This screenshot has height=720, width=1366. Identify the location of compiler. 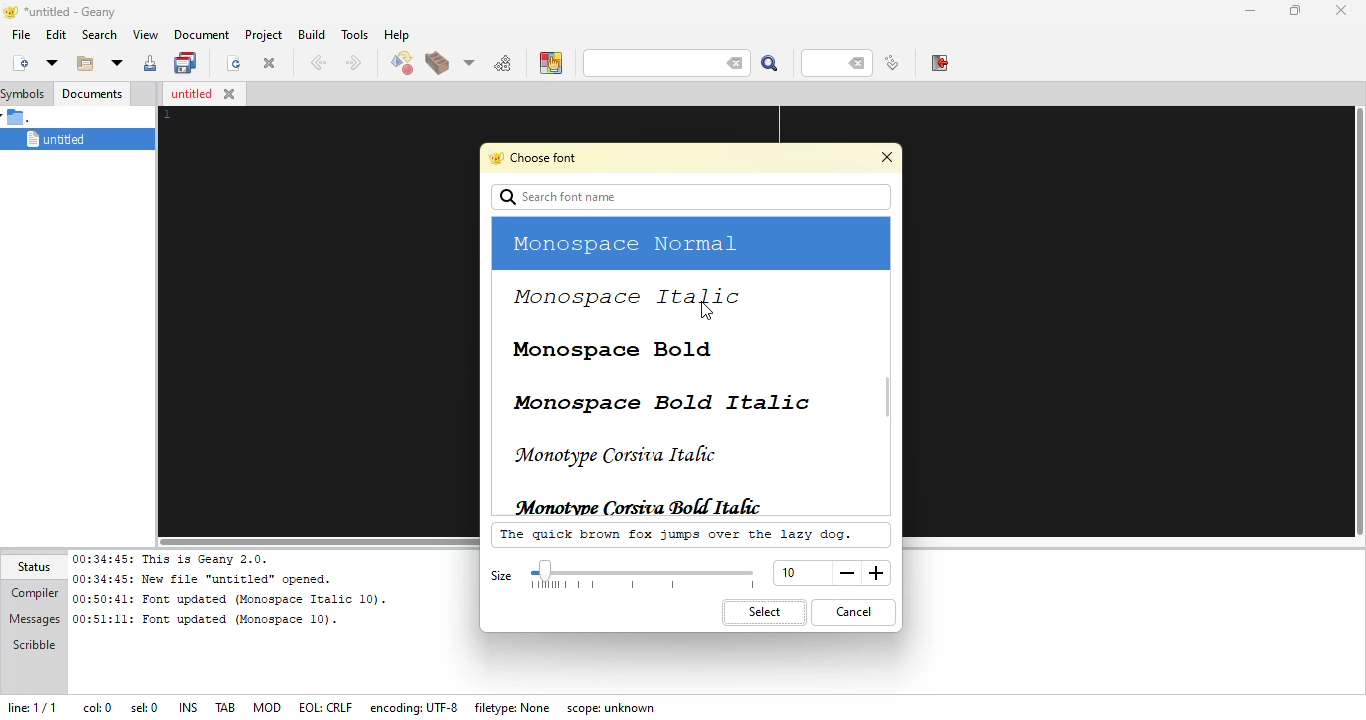
(34, 593).